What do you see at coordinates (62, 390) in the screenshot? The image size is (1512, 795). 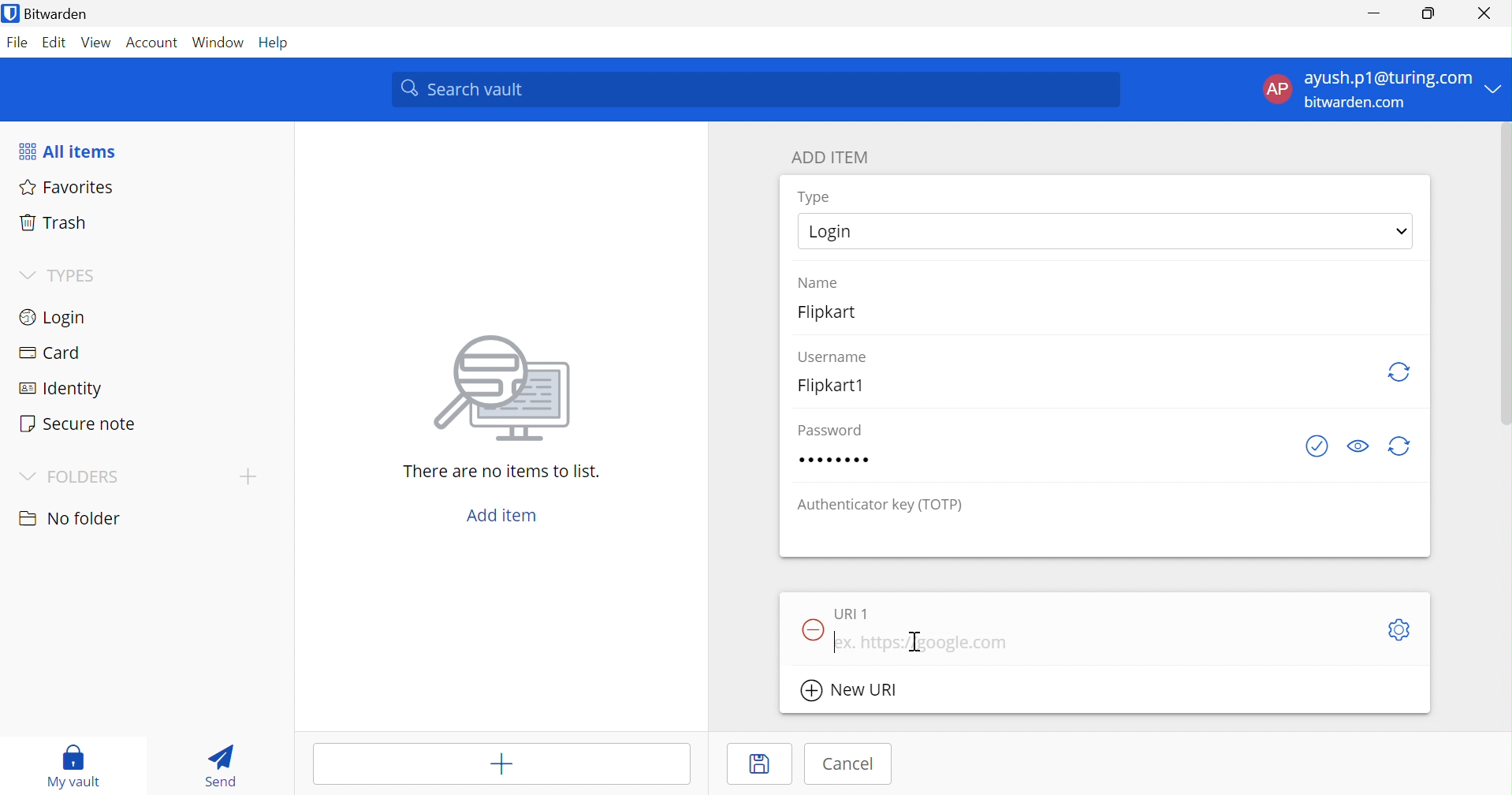 I see `Identity` at bounding box center [62, 390].